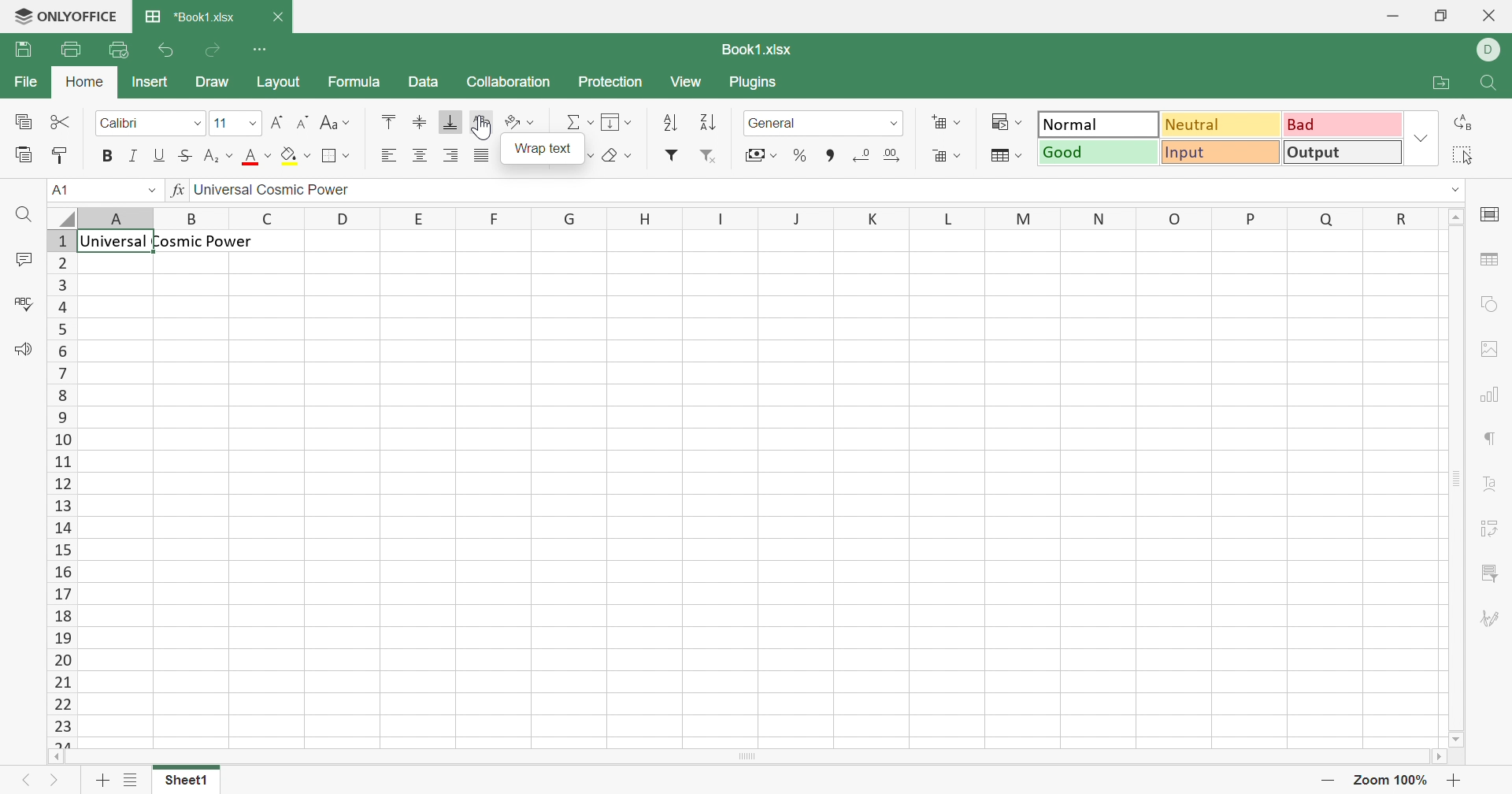 This screenshot has height=794, width=1512. Describe the element at coordinates (174, 191) in the screenshot. I see `fx` at that location.